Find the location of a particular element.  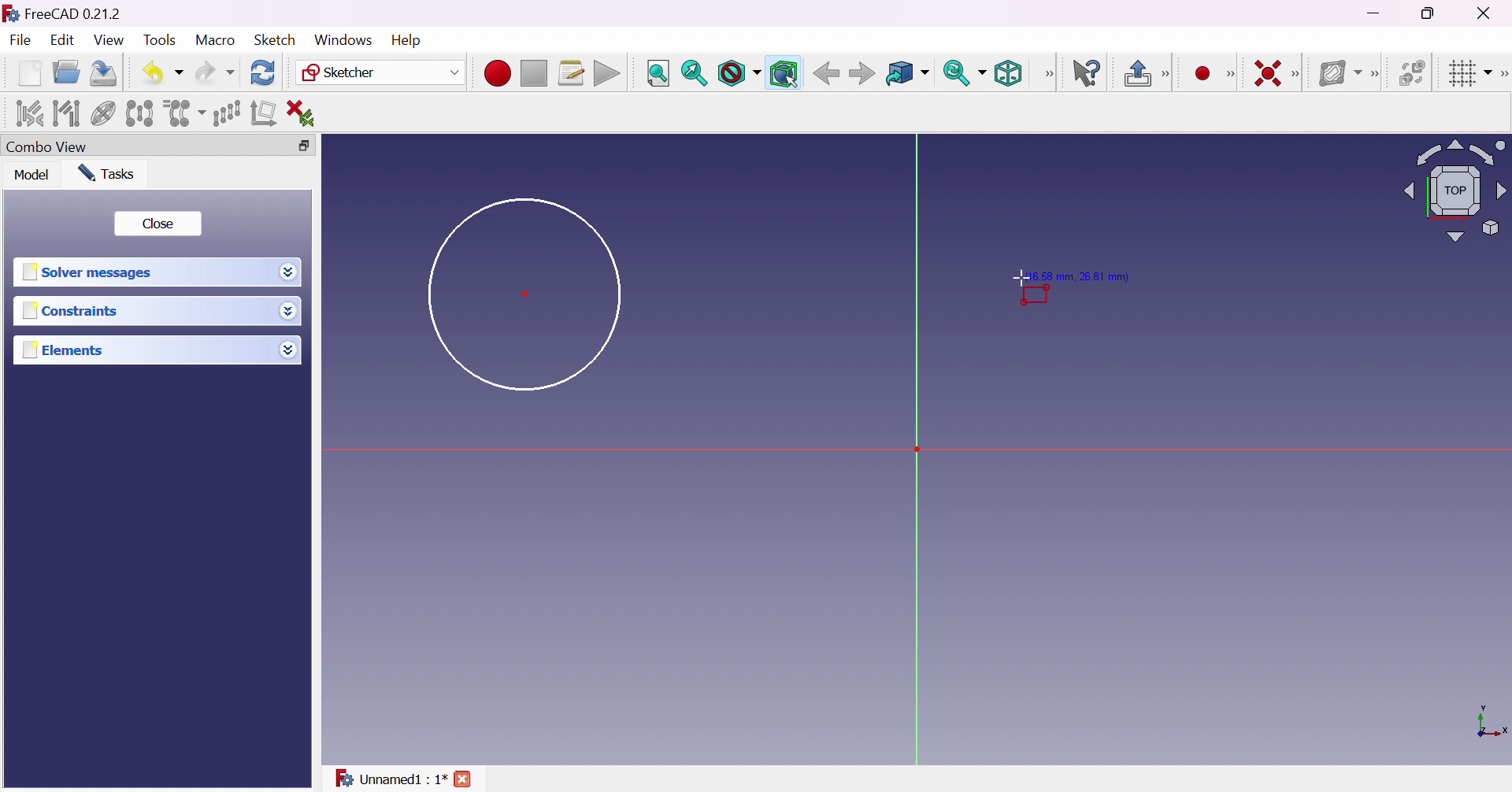

Constraints is located at coordinates (71, 312).